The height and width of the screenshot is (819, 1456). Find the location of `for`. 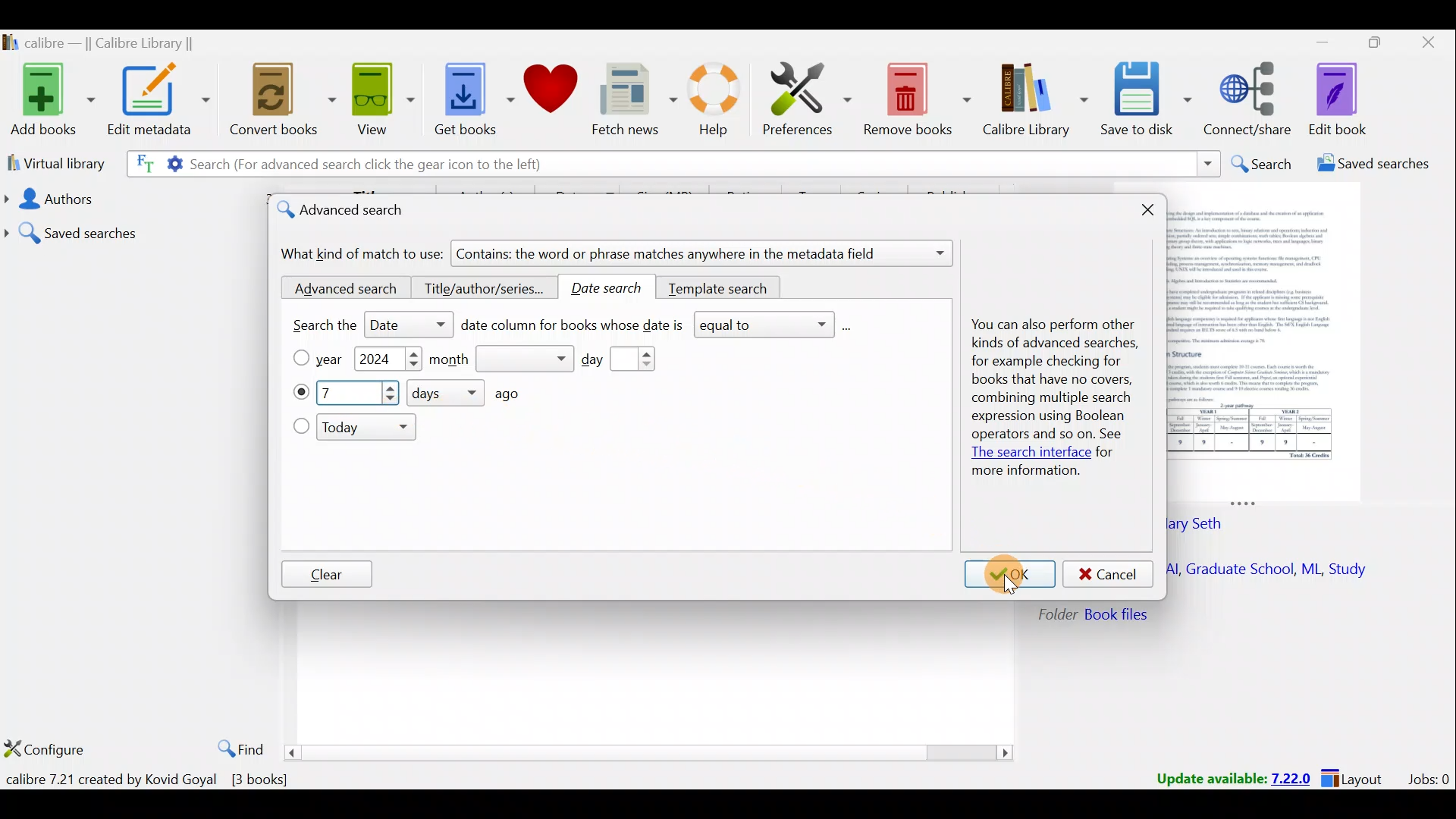

for is located at coordinates (1106, 453).